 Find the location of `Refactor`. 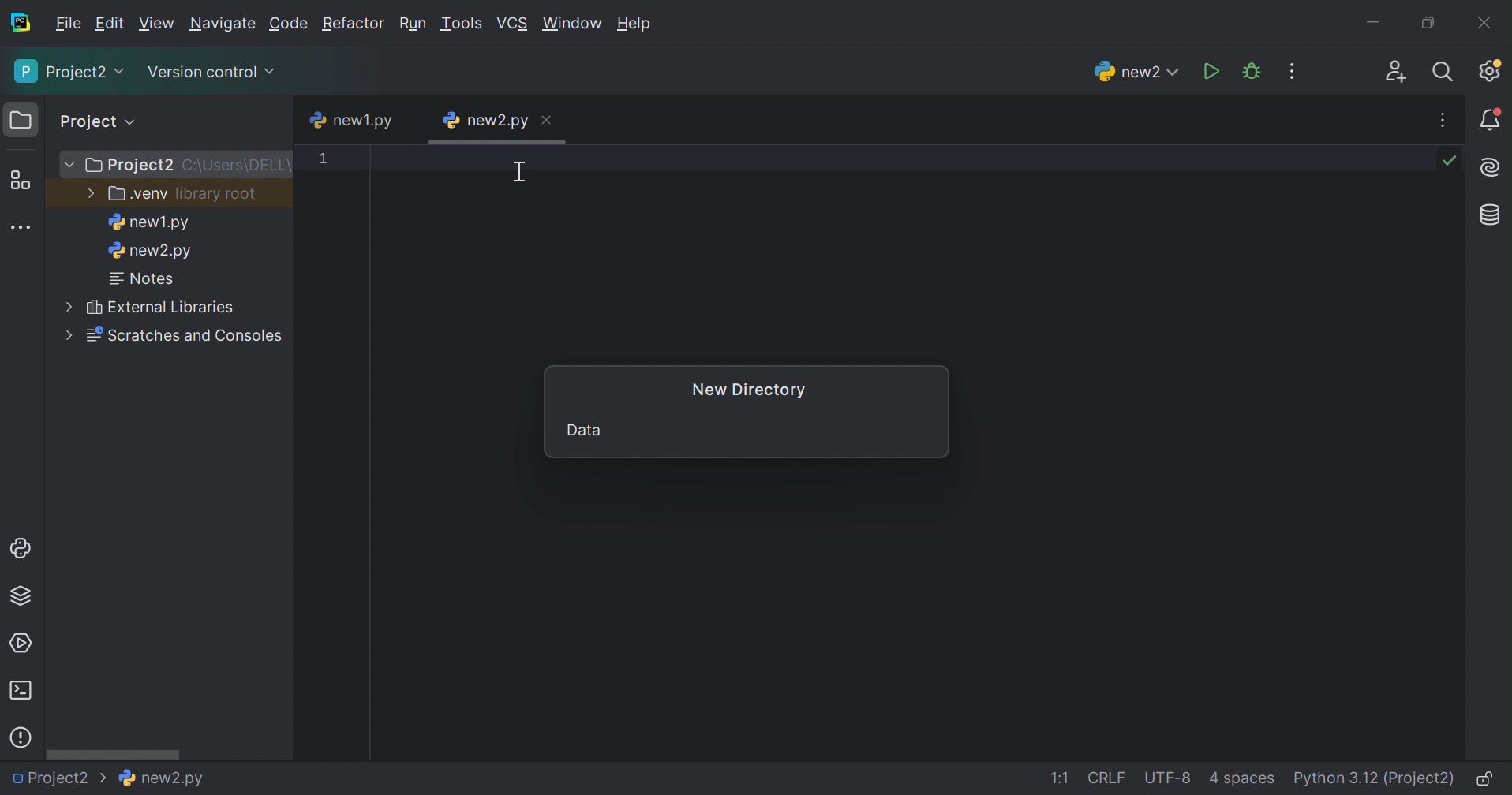

Refactor is located at coordinates (353, 24).